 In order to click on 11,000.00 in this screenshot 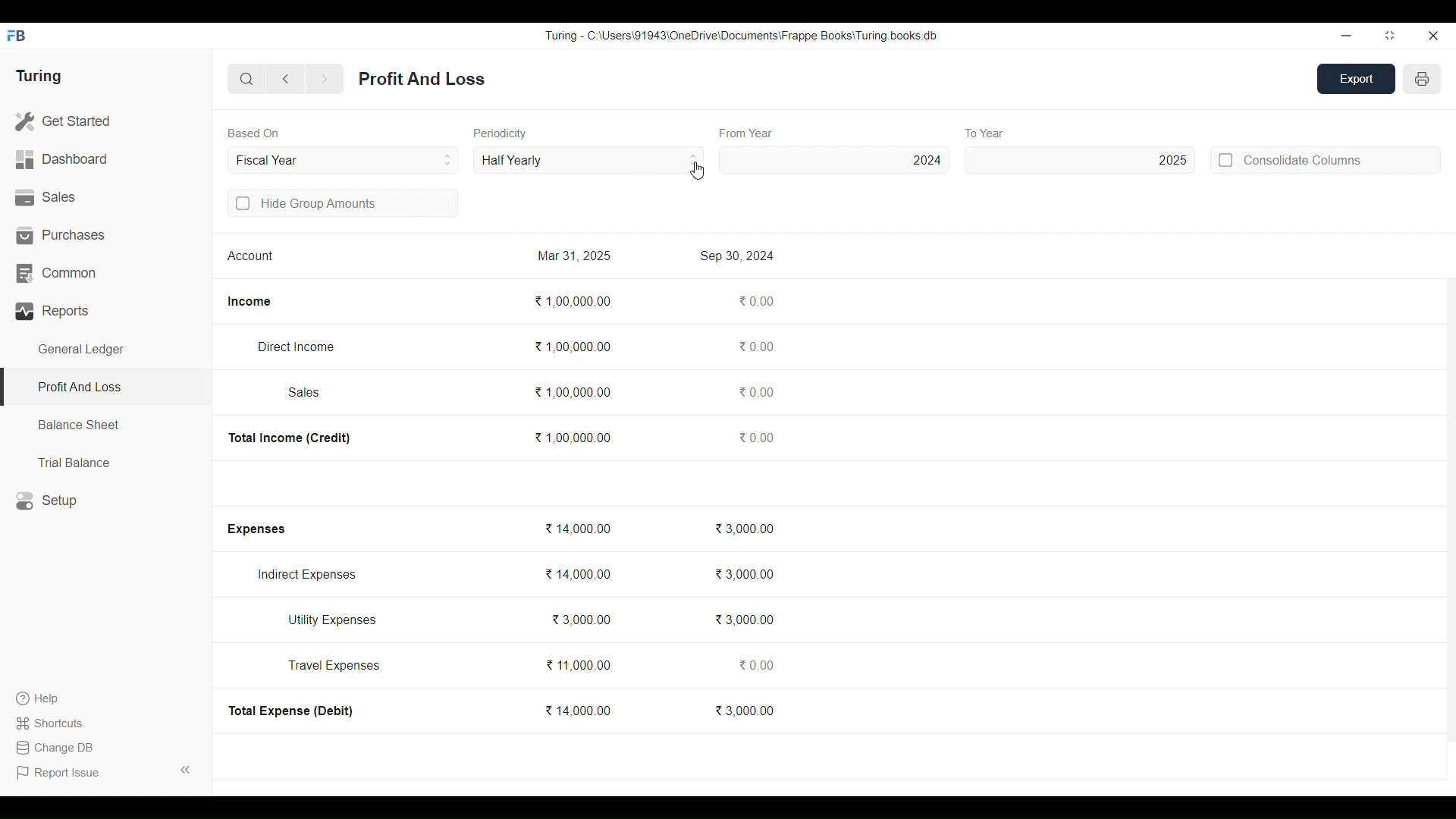, I will do `click(579, 665)`.